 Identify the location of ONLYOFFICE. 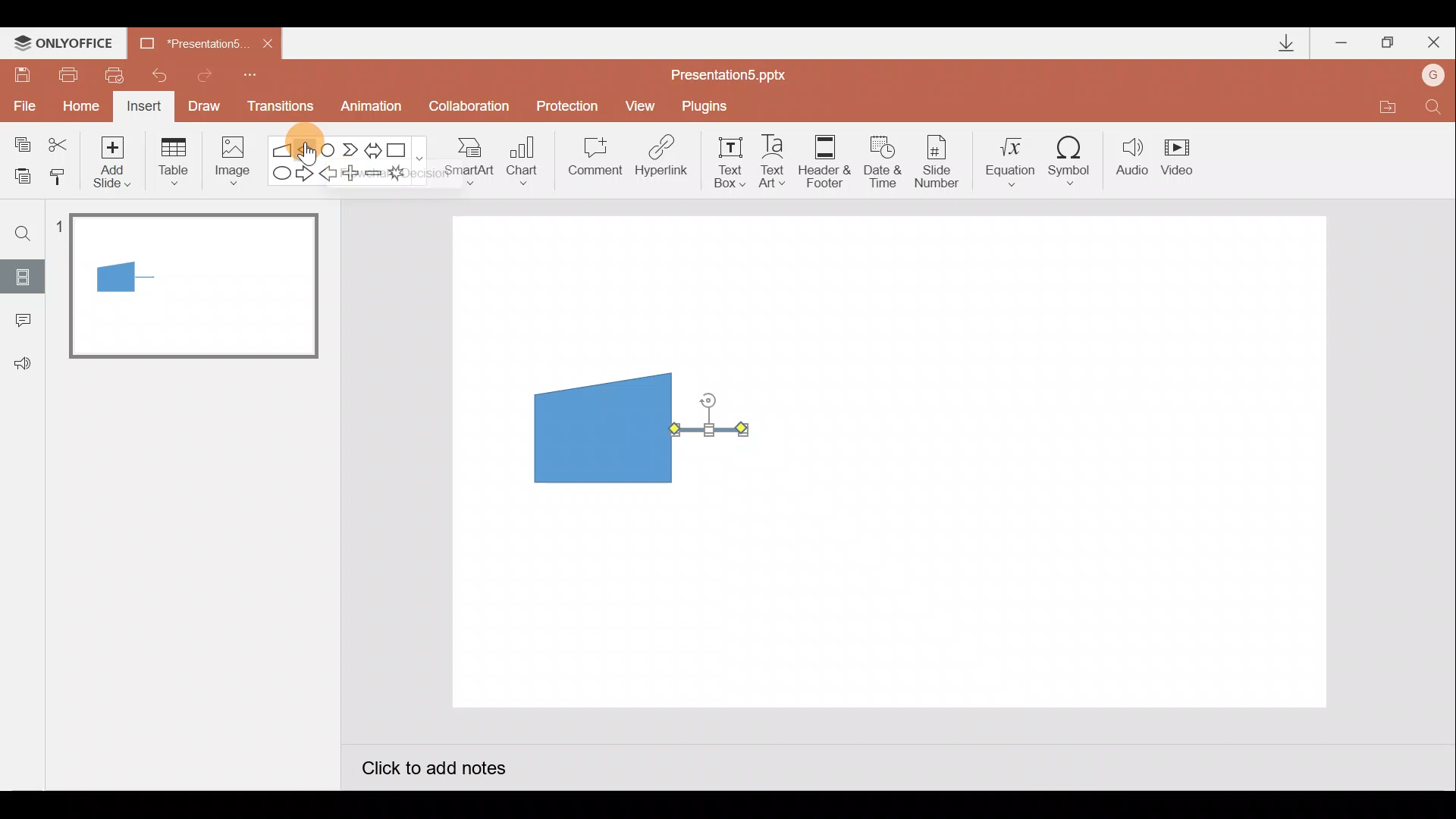
(67, 43).